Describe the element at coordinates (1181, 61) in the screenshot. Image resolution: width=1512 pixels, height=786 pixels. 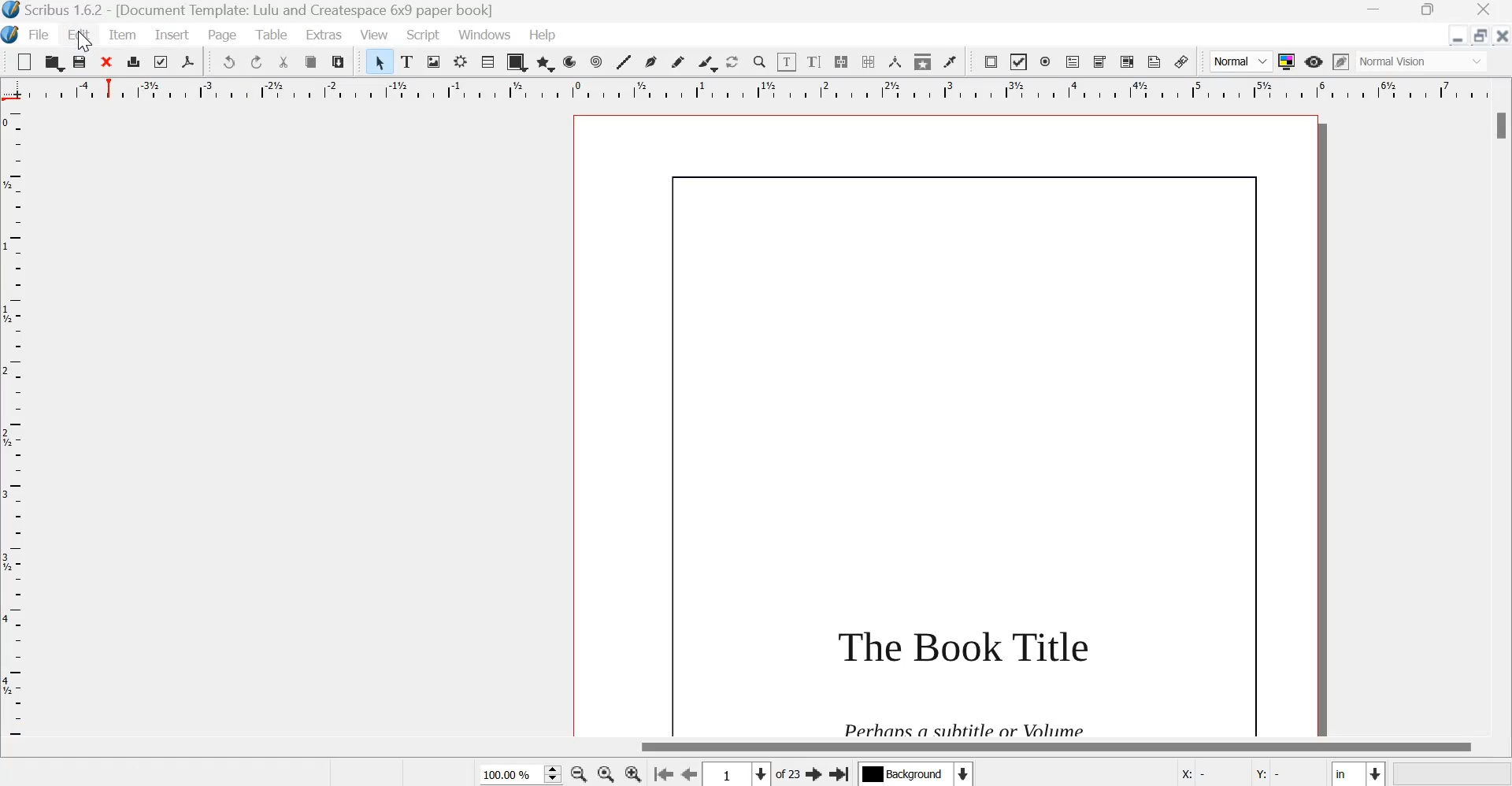
I see `Link annotation` at that location.